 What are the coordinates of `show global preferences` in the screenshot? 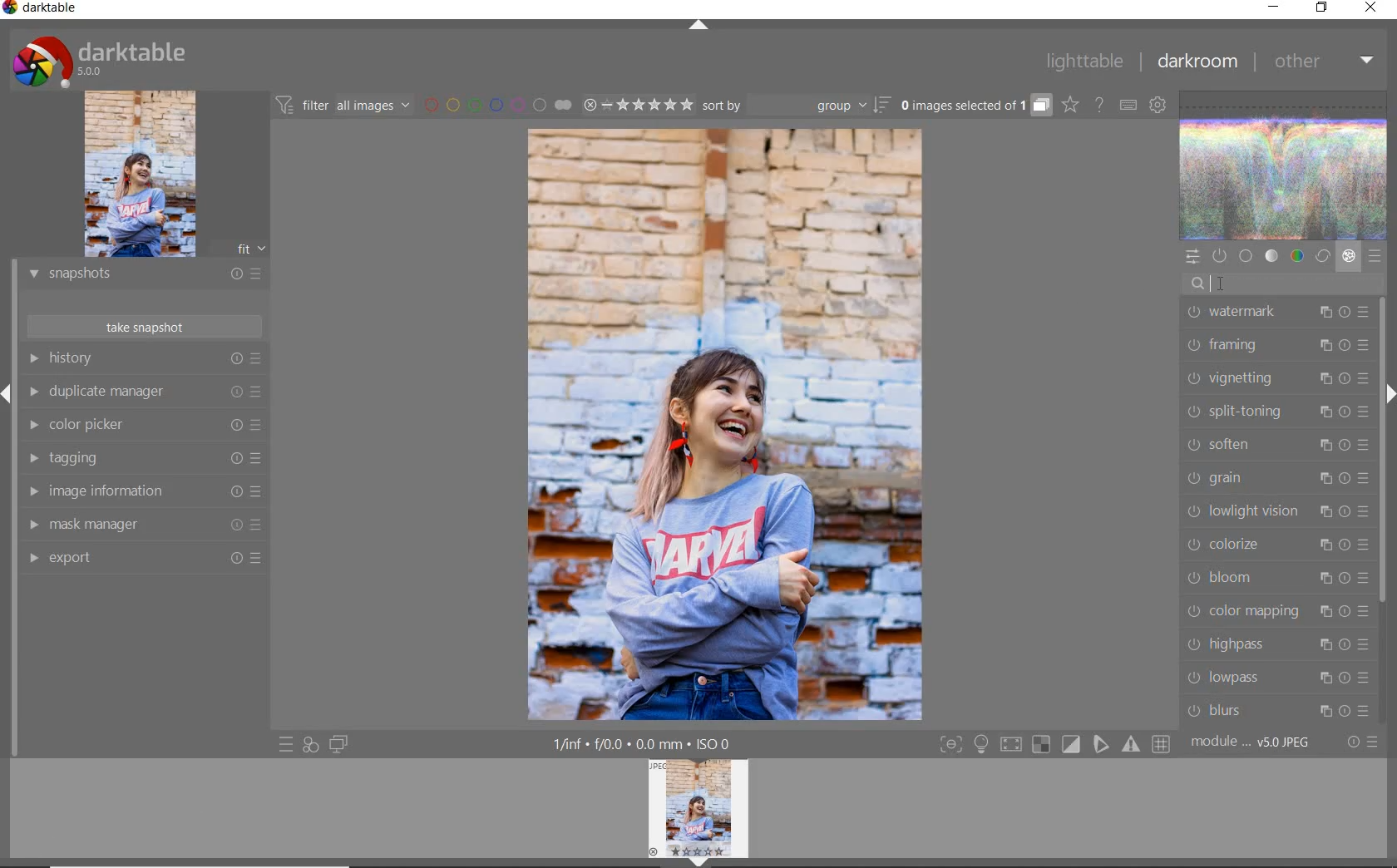 It's located at (1158, 106).